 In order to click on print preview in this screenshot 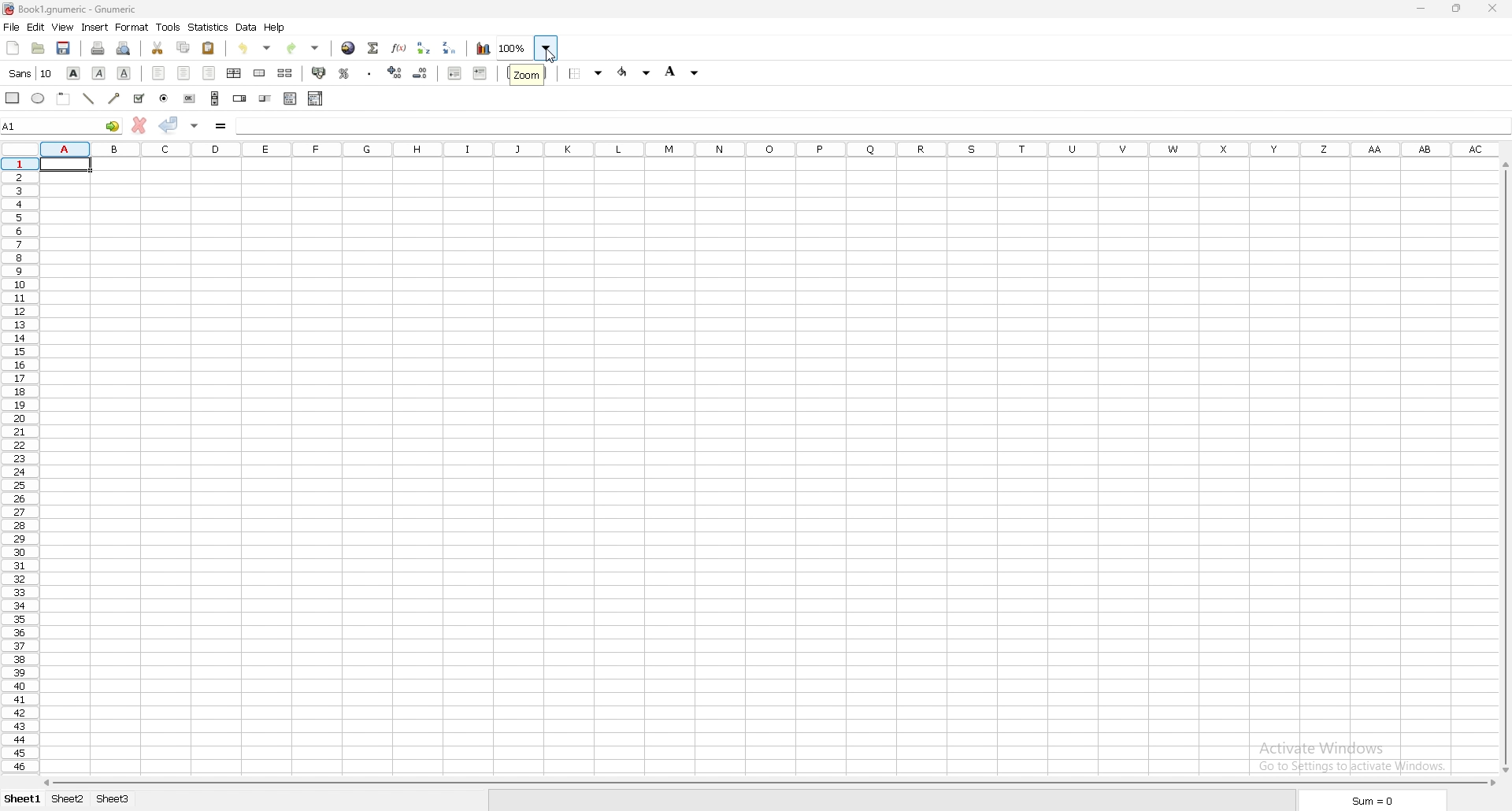, I will do `click(125, 47)`.